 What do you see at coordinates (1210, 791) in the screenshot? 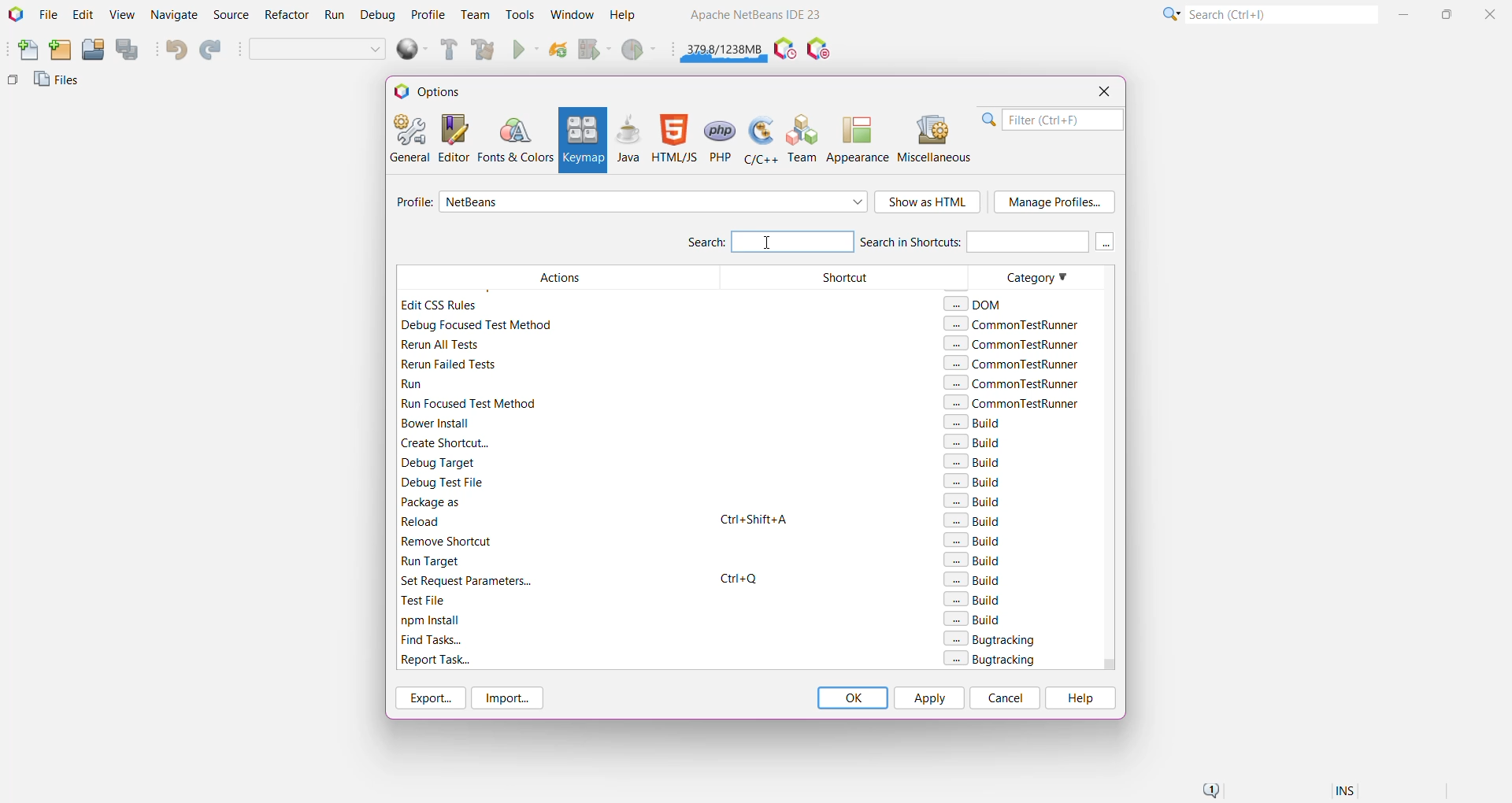
I see `Notifications` at bounding box center [1210, 791].